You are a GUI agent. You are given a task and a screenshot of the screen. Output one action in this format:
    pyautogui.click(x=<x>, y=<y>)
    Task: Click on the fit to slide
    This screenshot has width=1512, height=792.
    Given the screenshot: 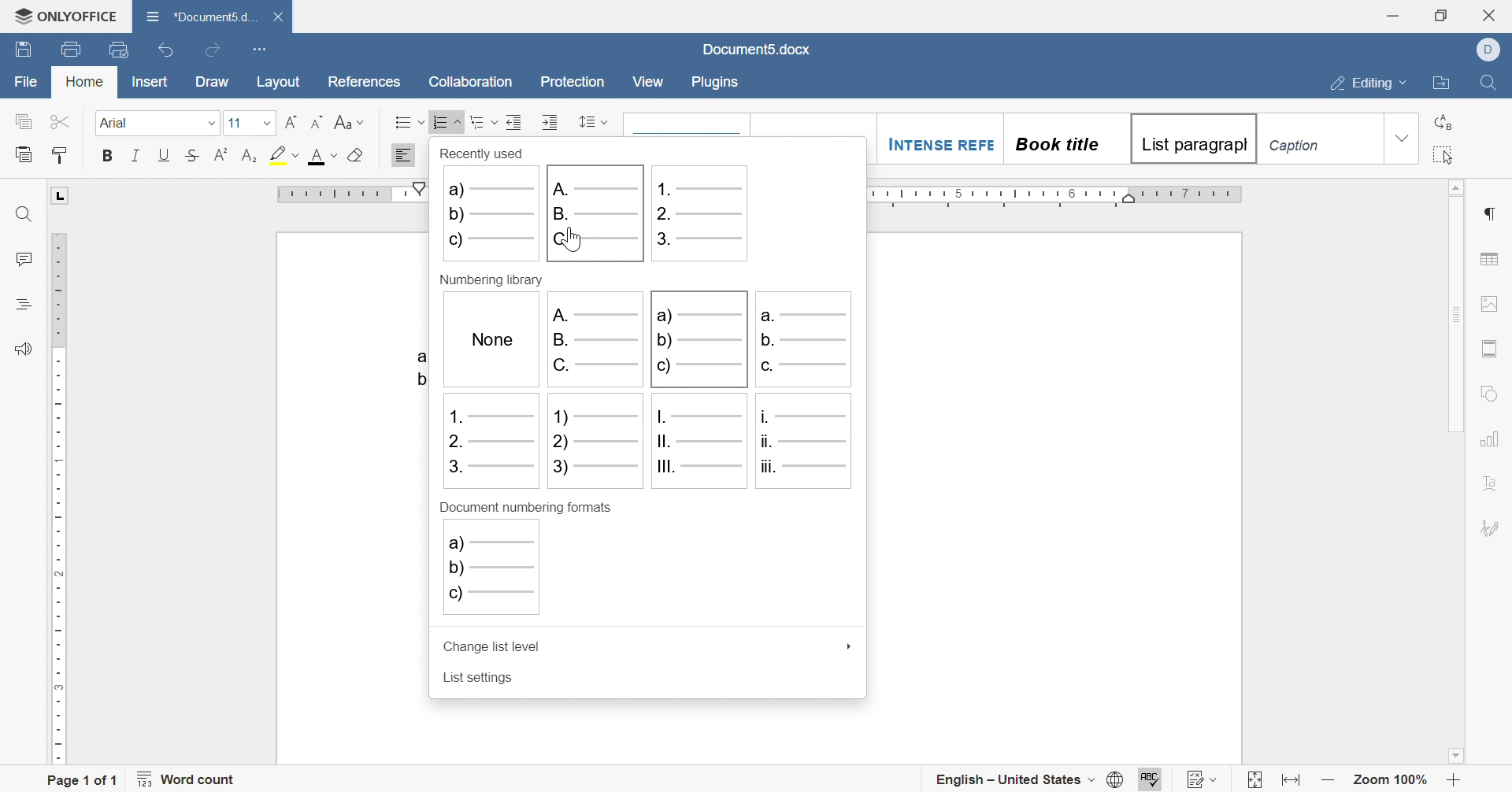 What is the action you would take?
    pyautogui.click(x=1254, y=781)
    